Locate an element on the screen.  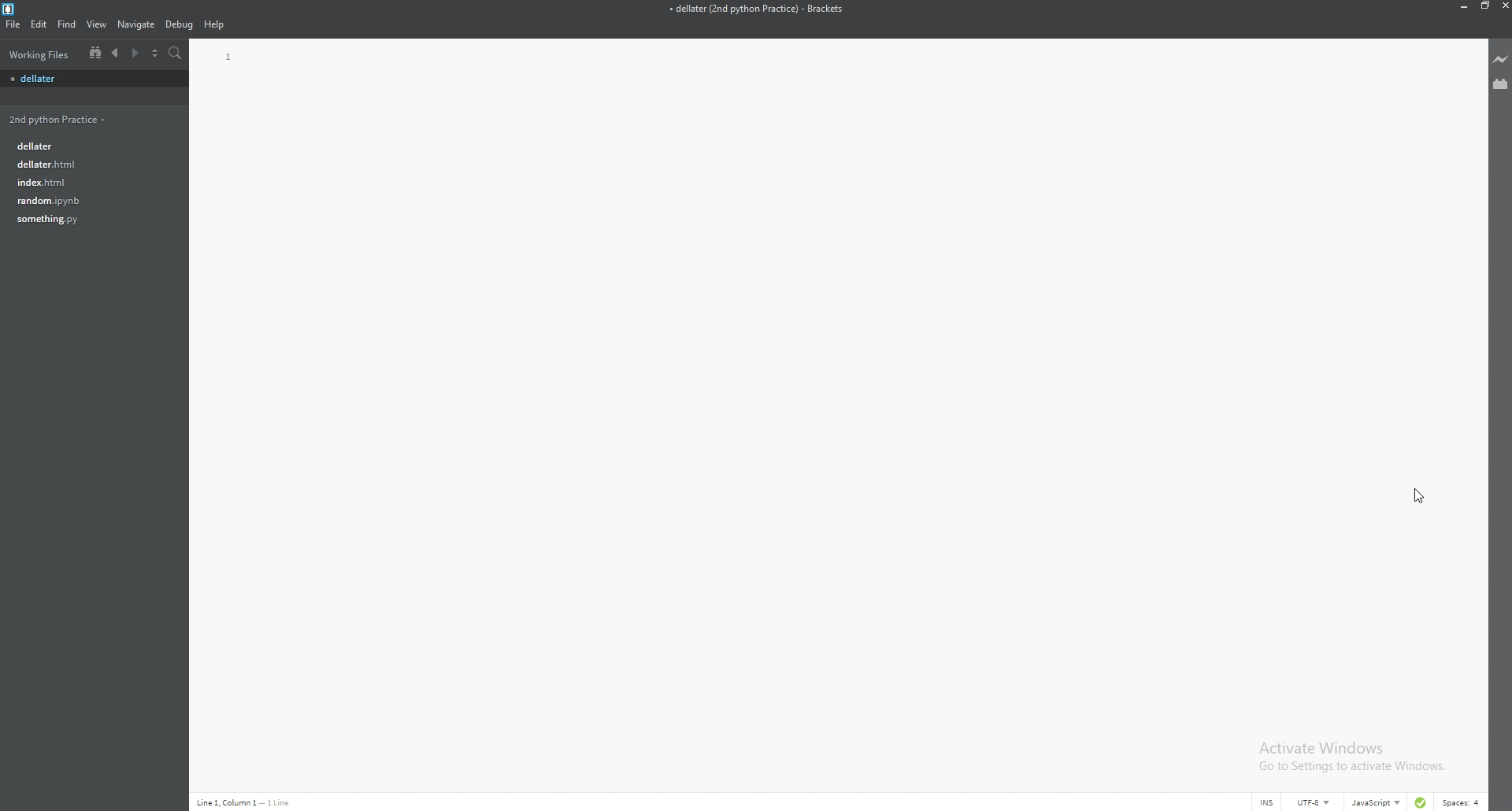
file is located at coordinates (88, 219).